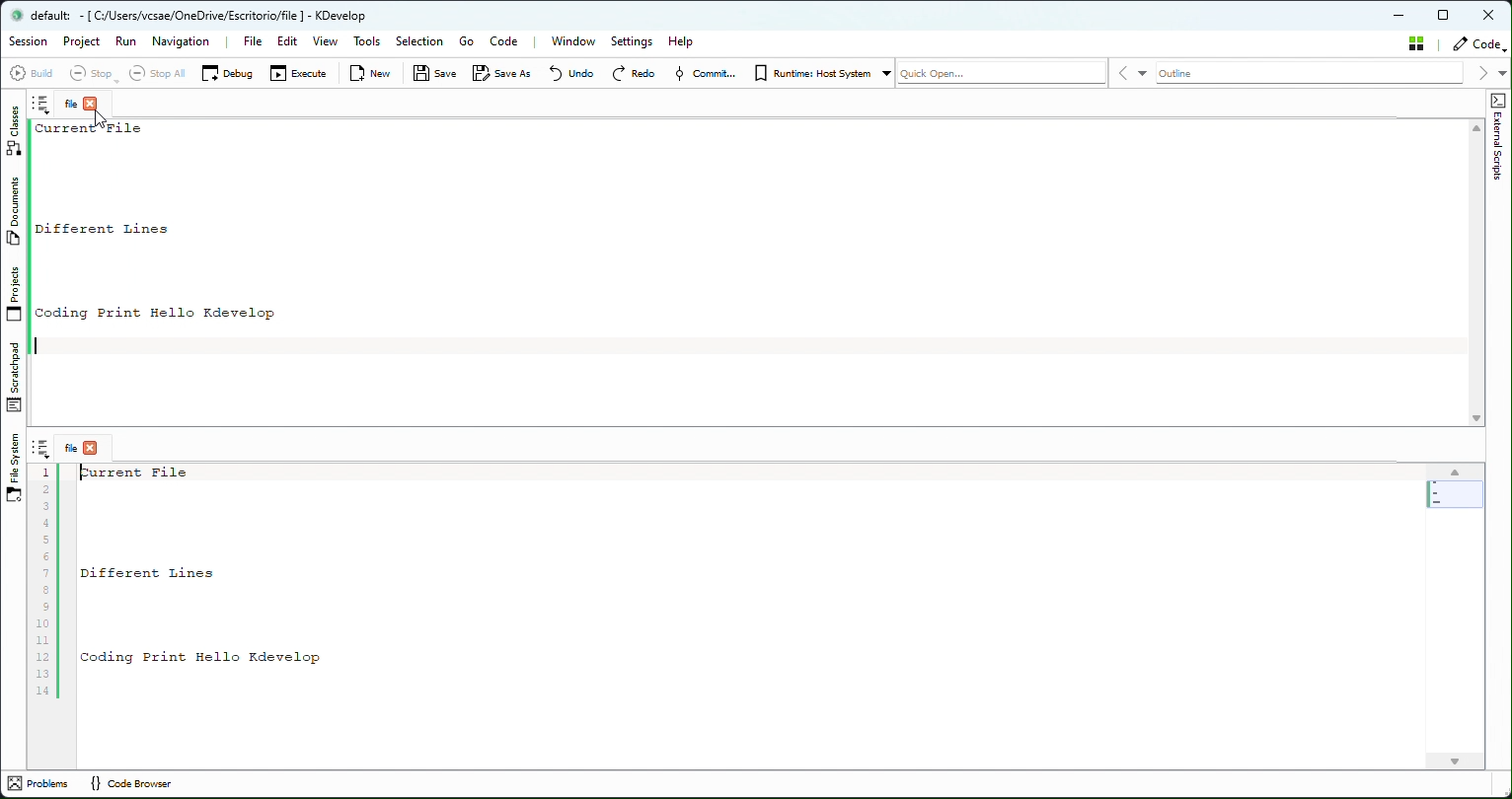 The height and width of the screenshot is (799, 1512). Describe the element at coordinates (502, 73) in the screenshot. I see `Save as` at that location.